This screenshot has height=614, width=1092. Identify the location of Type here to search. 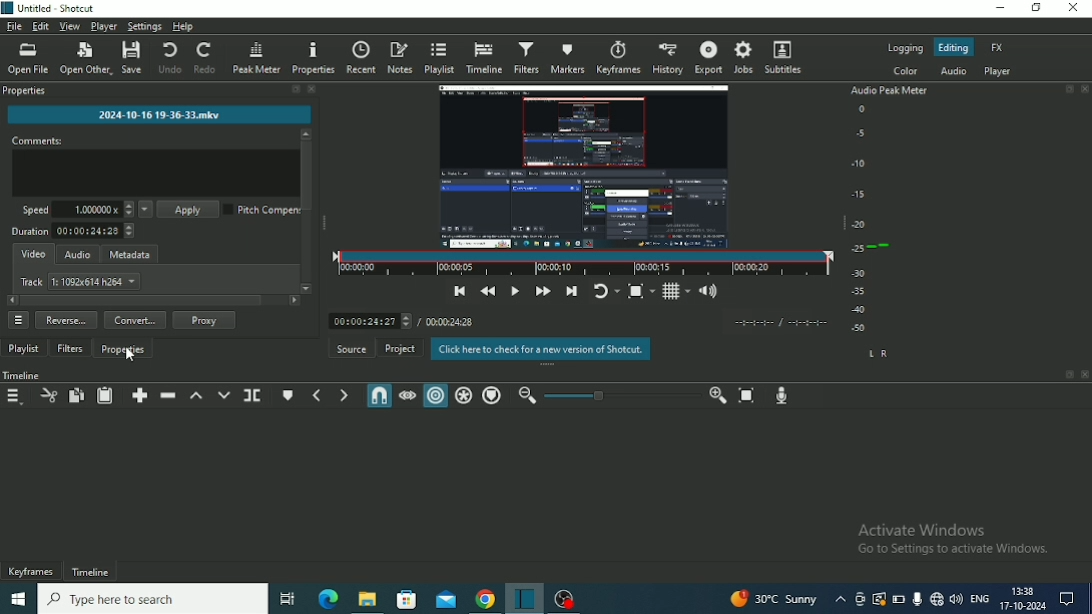
(152, 598).